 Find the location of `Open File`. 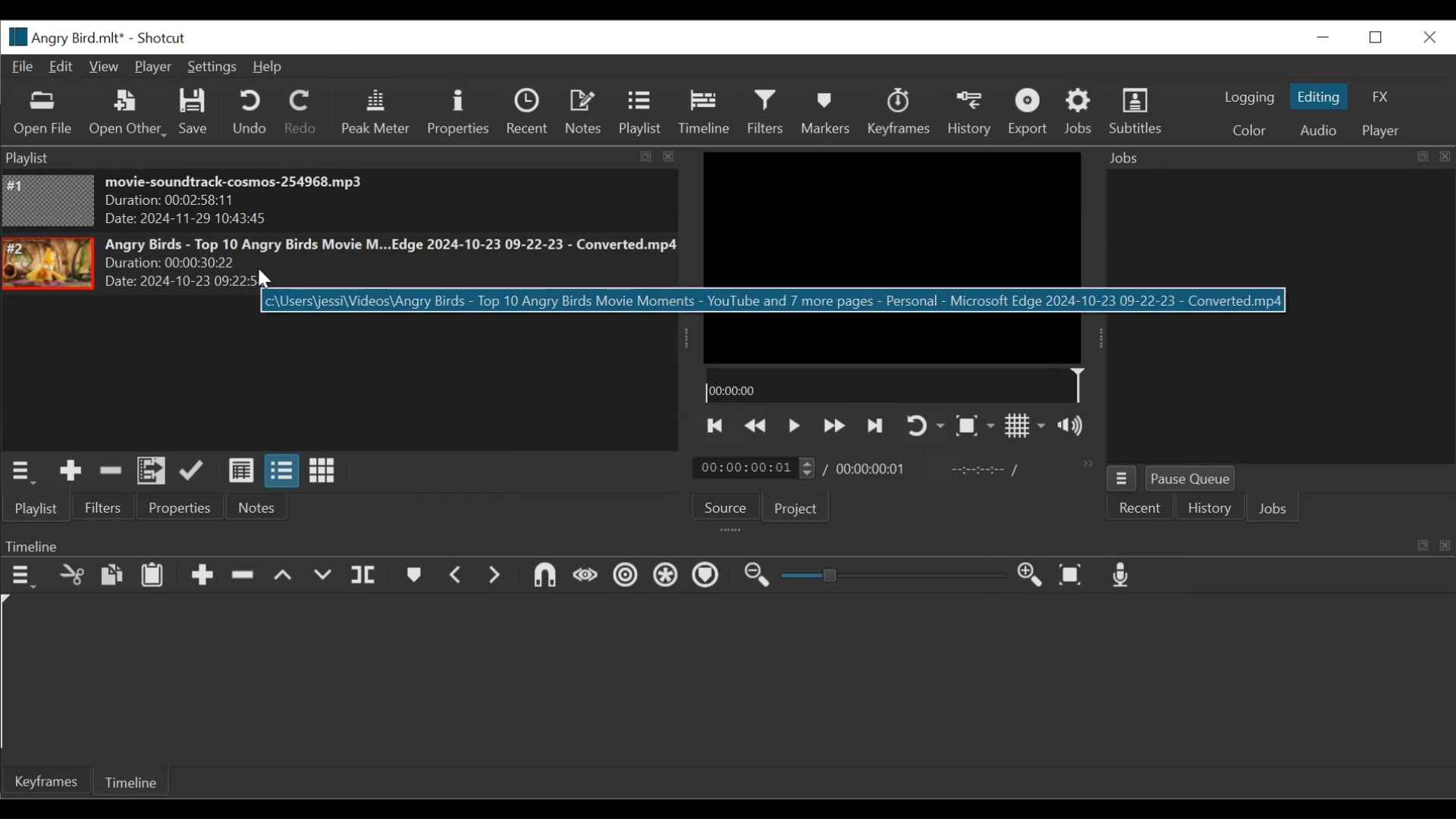

Open File is located at coordinates (40, 114).